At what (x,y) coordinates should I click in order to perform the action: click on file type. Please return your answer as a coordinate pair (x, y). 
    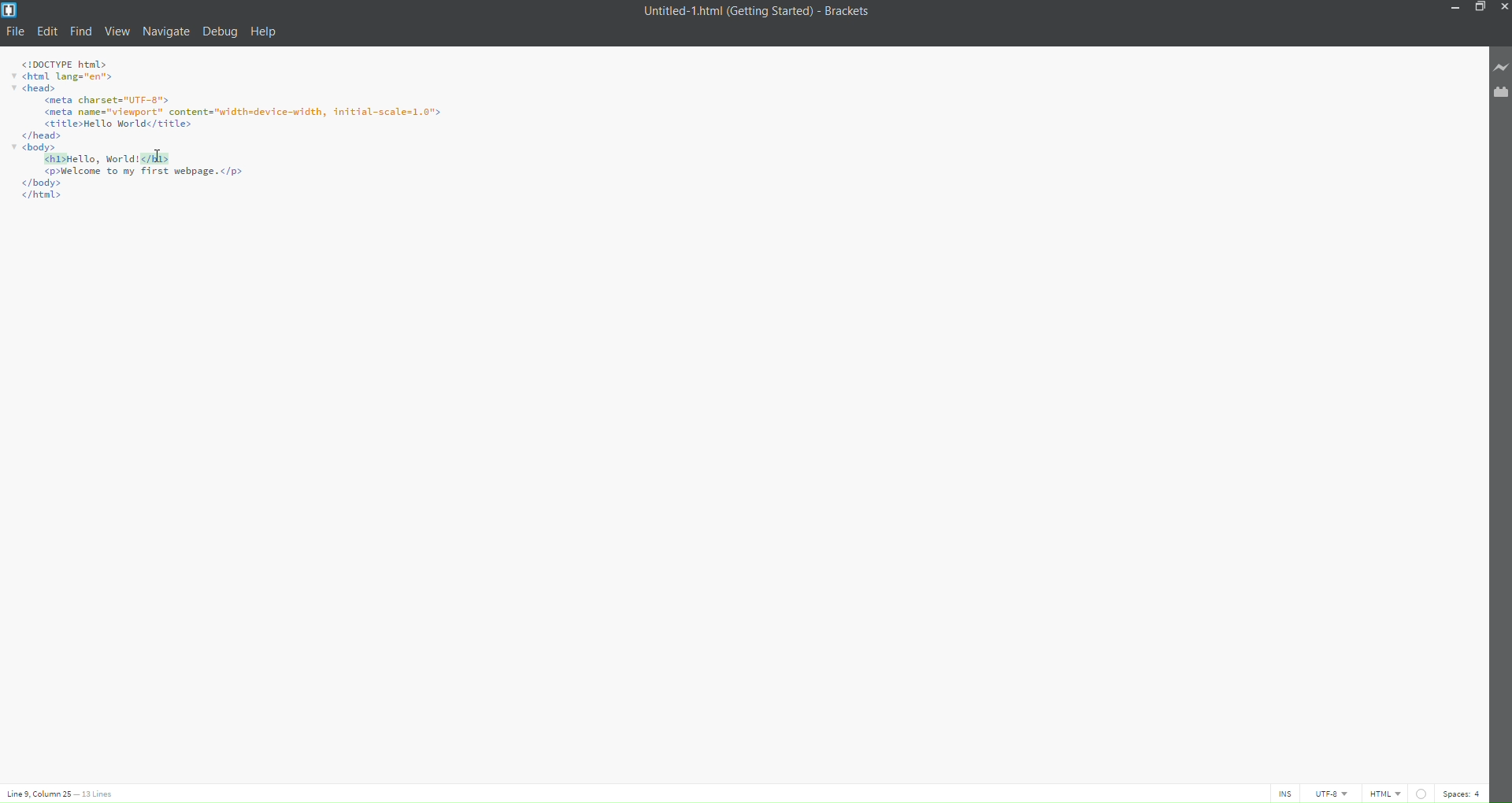
    Looking at the image, I should click on (1385, 794).